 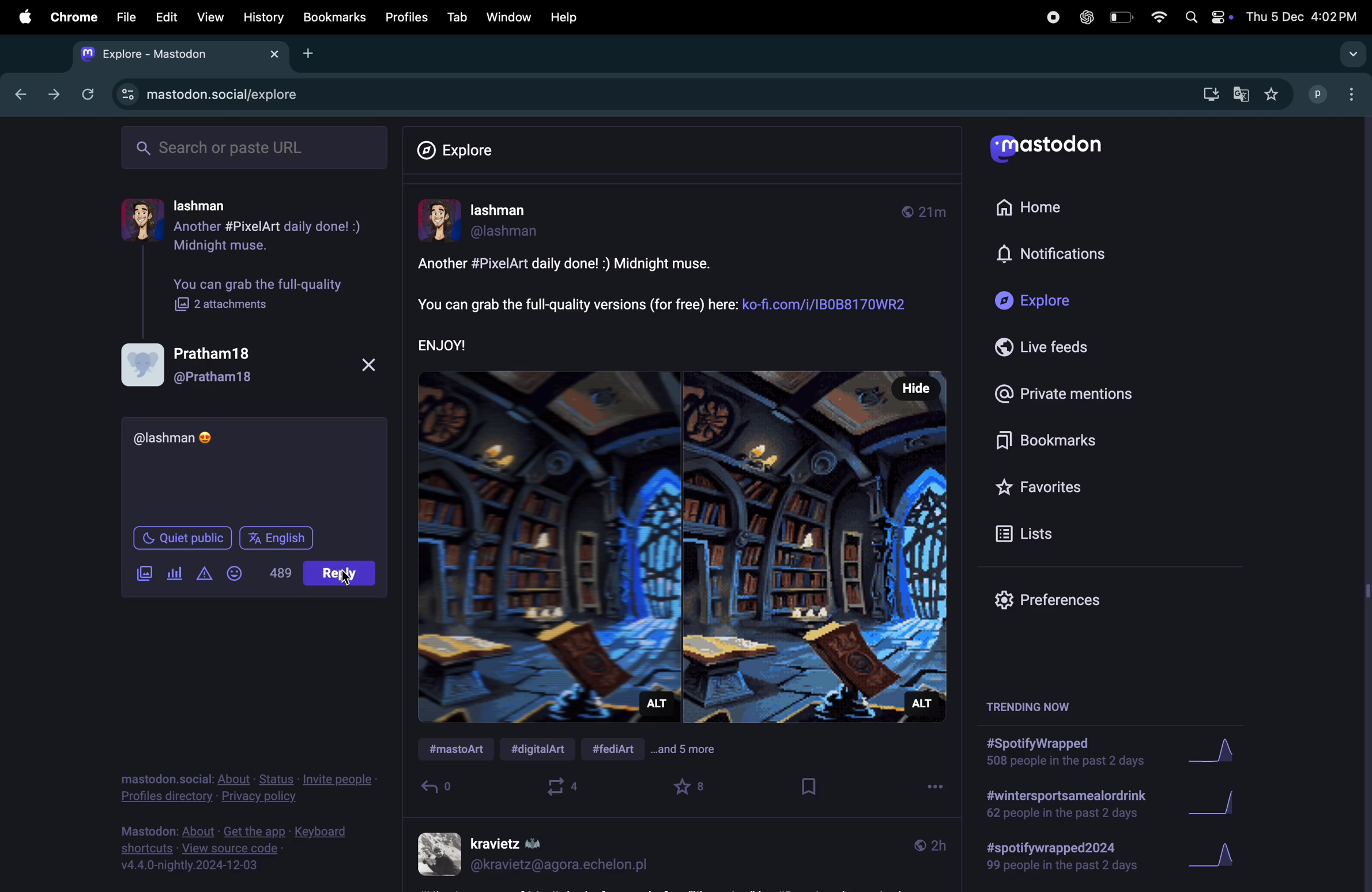 What do you see at coordinates (695, 753) in the screenshot?
I see `and 5 more` at bounding box center [695, 753].